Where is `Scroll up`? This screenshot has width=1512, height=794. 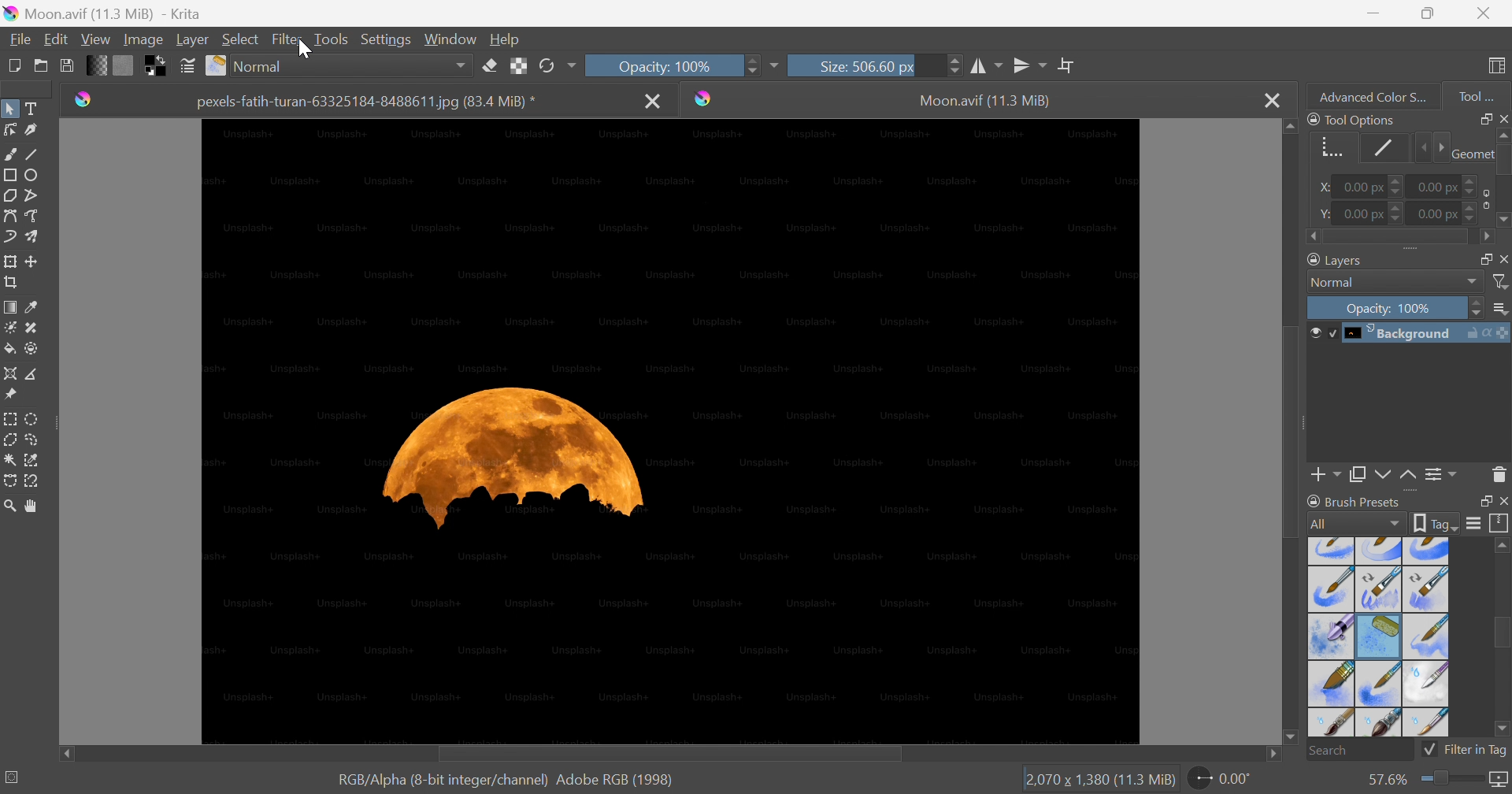
Scroll up is located at coordinates (1503, 544).